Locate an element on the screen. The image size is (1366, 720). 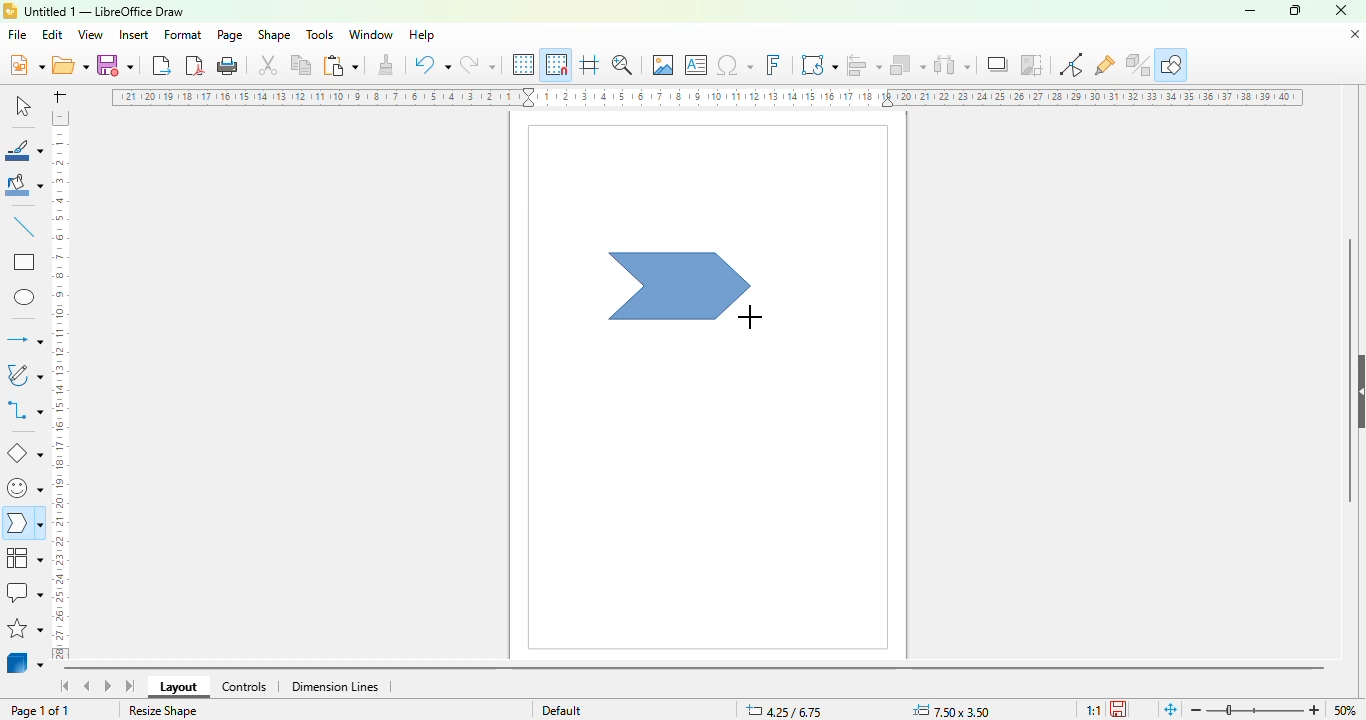
ellipse is located at coordinates (26, 298).